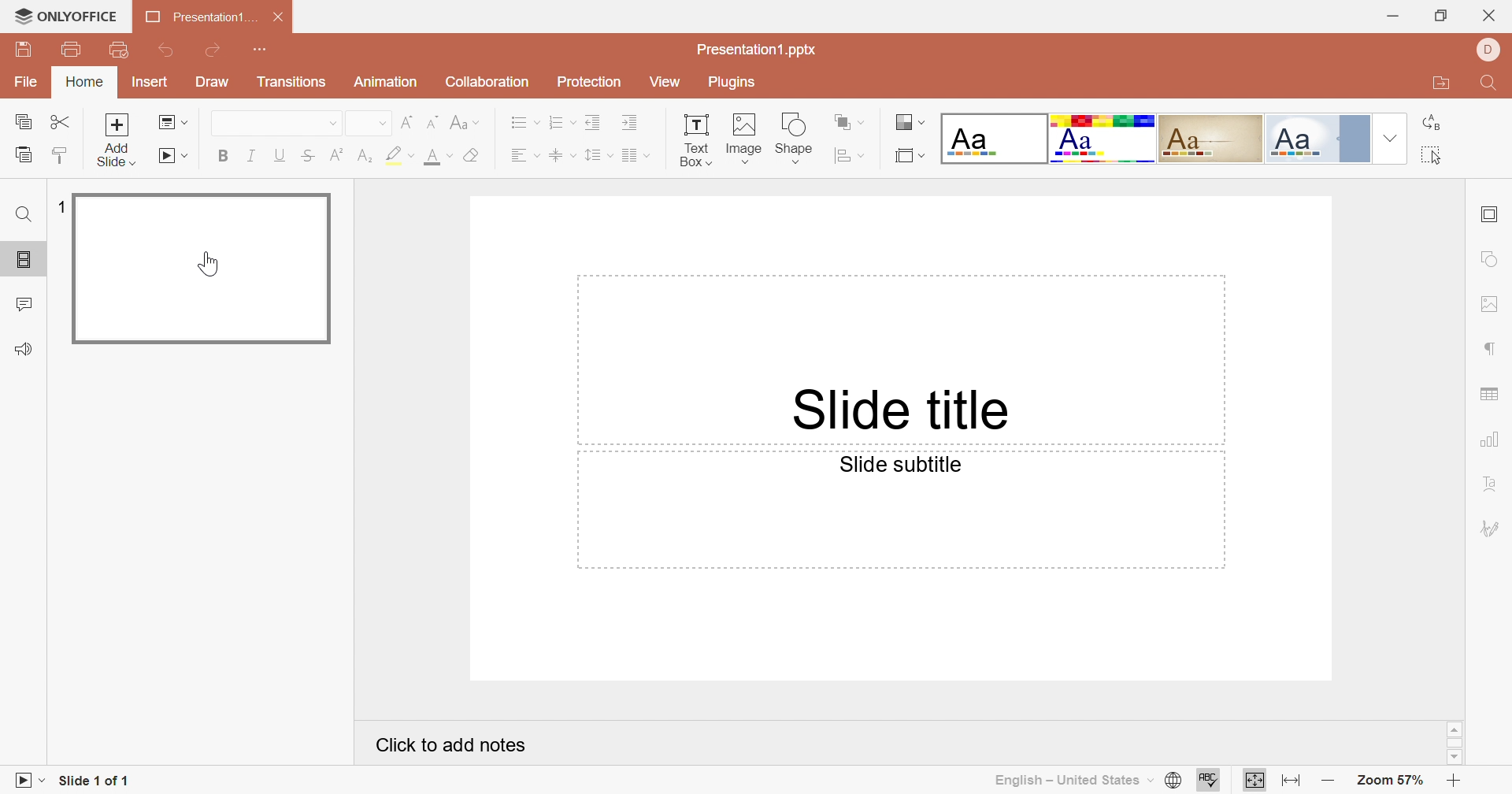  Describe the element at coordinates (169, 50) in the screenshot. I see `Undo` at that location.